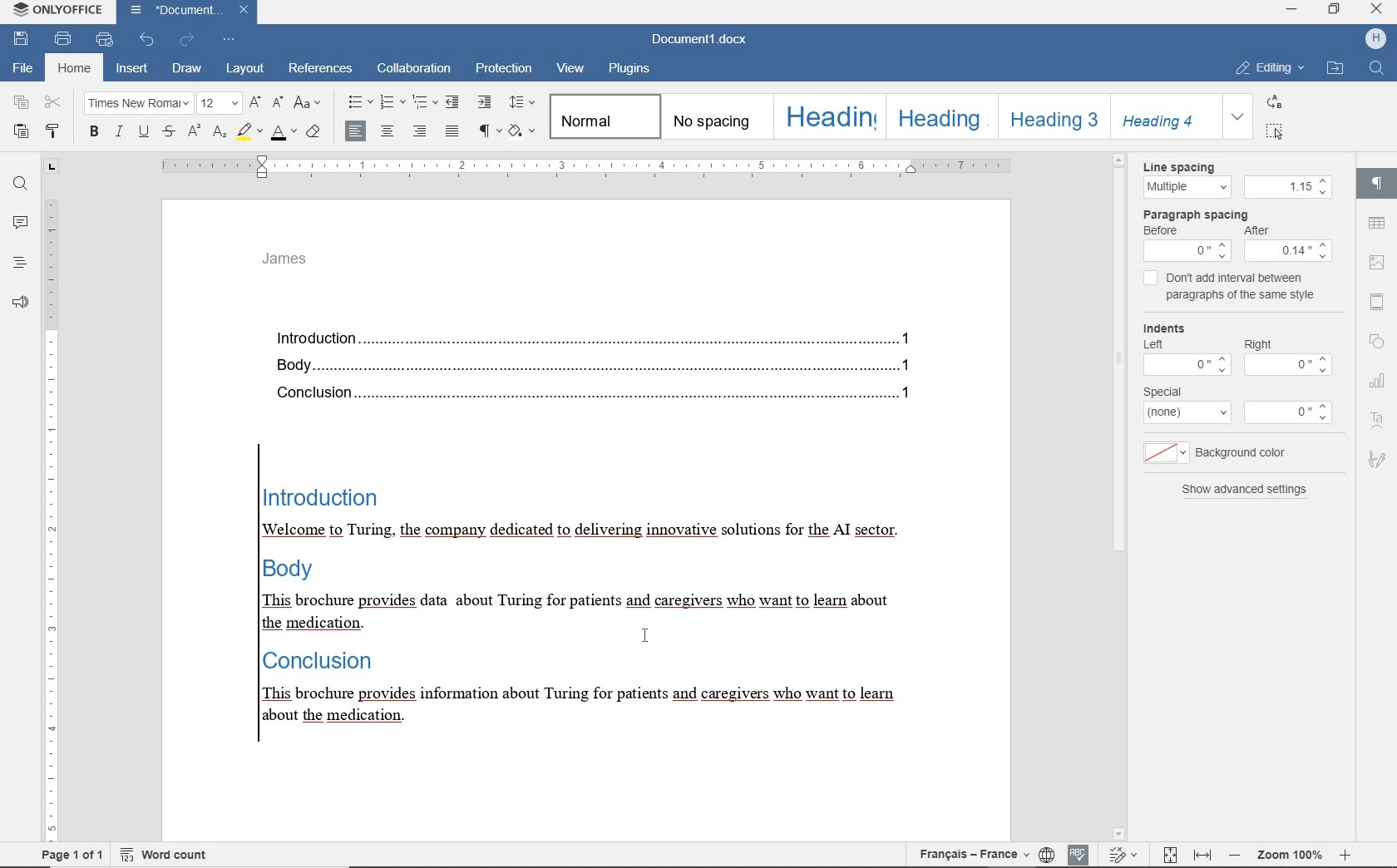 This screenshot has width=1397, height=868. What do you see at coordinates (1164, 856) in the screenshot?
I see `fit to page` at bounding box center [1164, 856].